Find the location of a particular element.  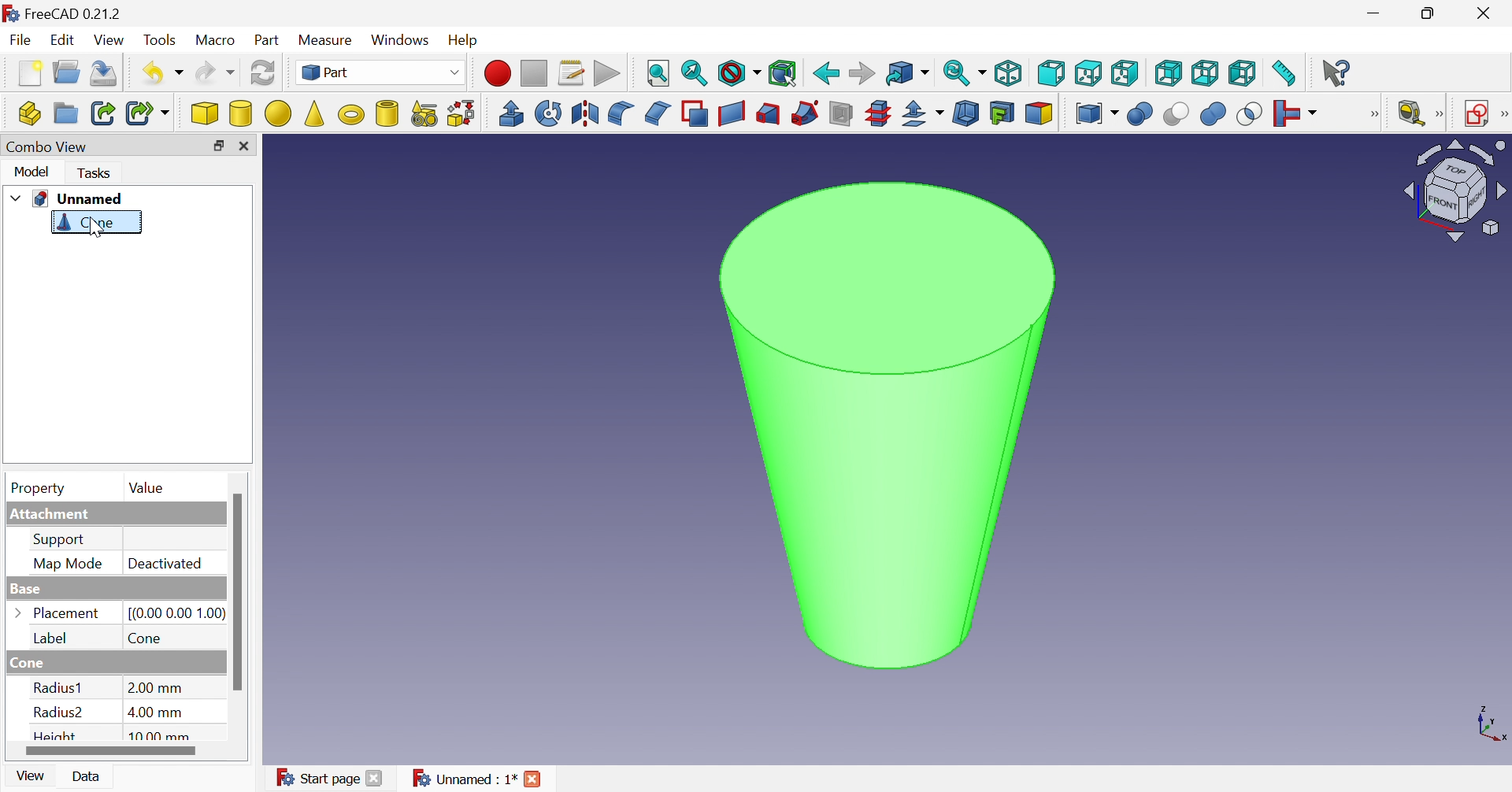

Macro is located at coordinates (218, 40).